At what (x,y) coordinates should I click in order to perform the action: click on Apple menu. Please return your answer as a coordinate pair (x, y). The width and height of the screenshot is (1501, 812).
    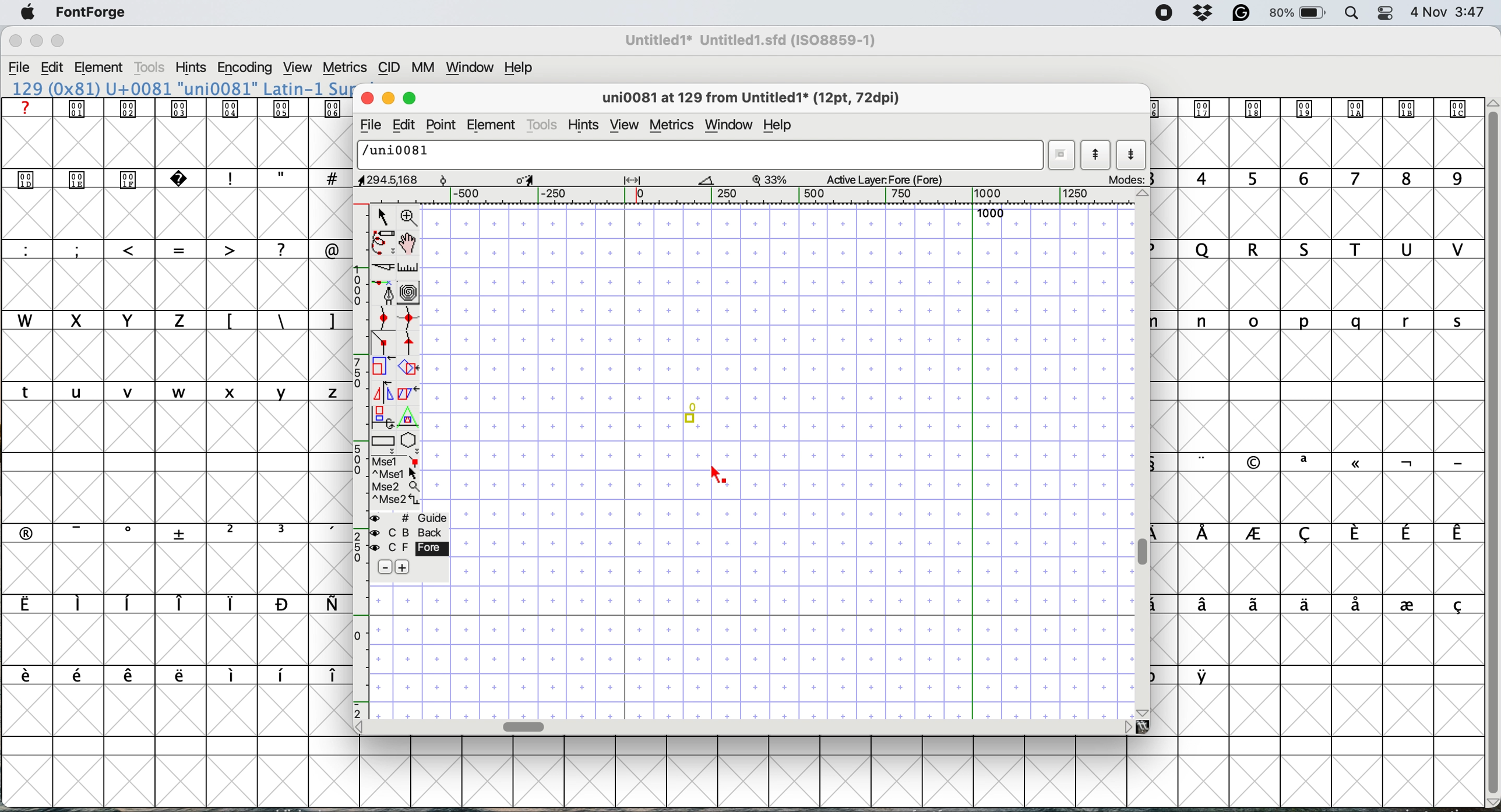
    Looking at the image, I should click on (27, 13).